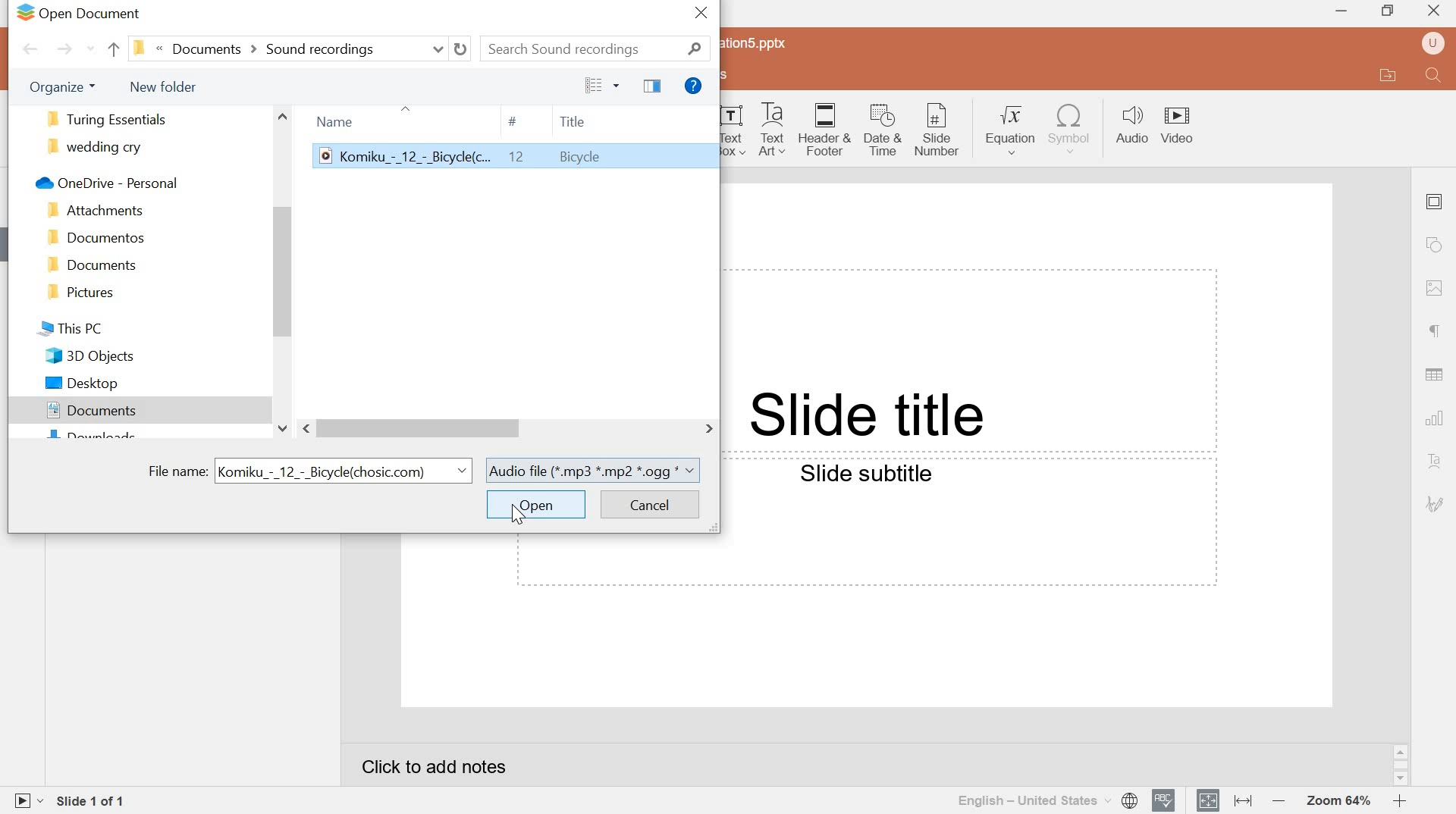 The image size is (1456, 814). What do you see at coordinates (303, 430) in the screenshot?
I see `scroll left` at bounding box center [303, 430].